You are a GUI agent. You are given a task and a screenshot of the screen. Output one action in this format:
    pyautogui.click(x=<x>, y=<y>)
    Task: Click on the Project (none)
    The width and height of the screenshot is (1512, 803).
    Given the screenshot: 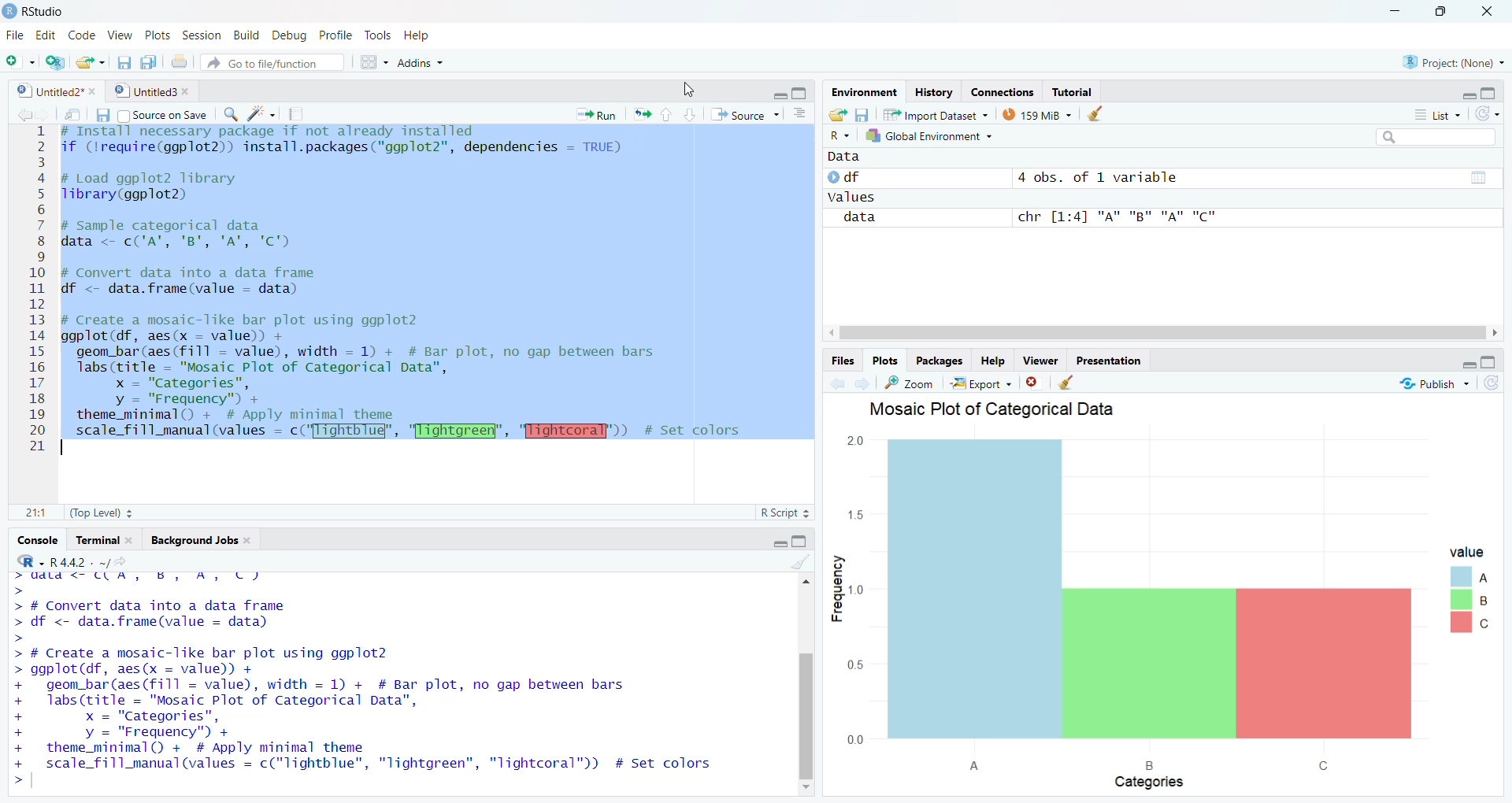 What is the action you would take?
    pyautogui.click(x=1452, y=61)
    